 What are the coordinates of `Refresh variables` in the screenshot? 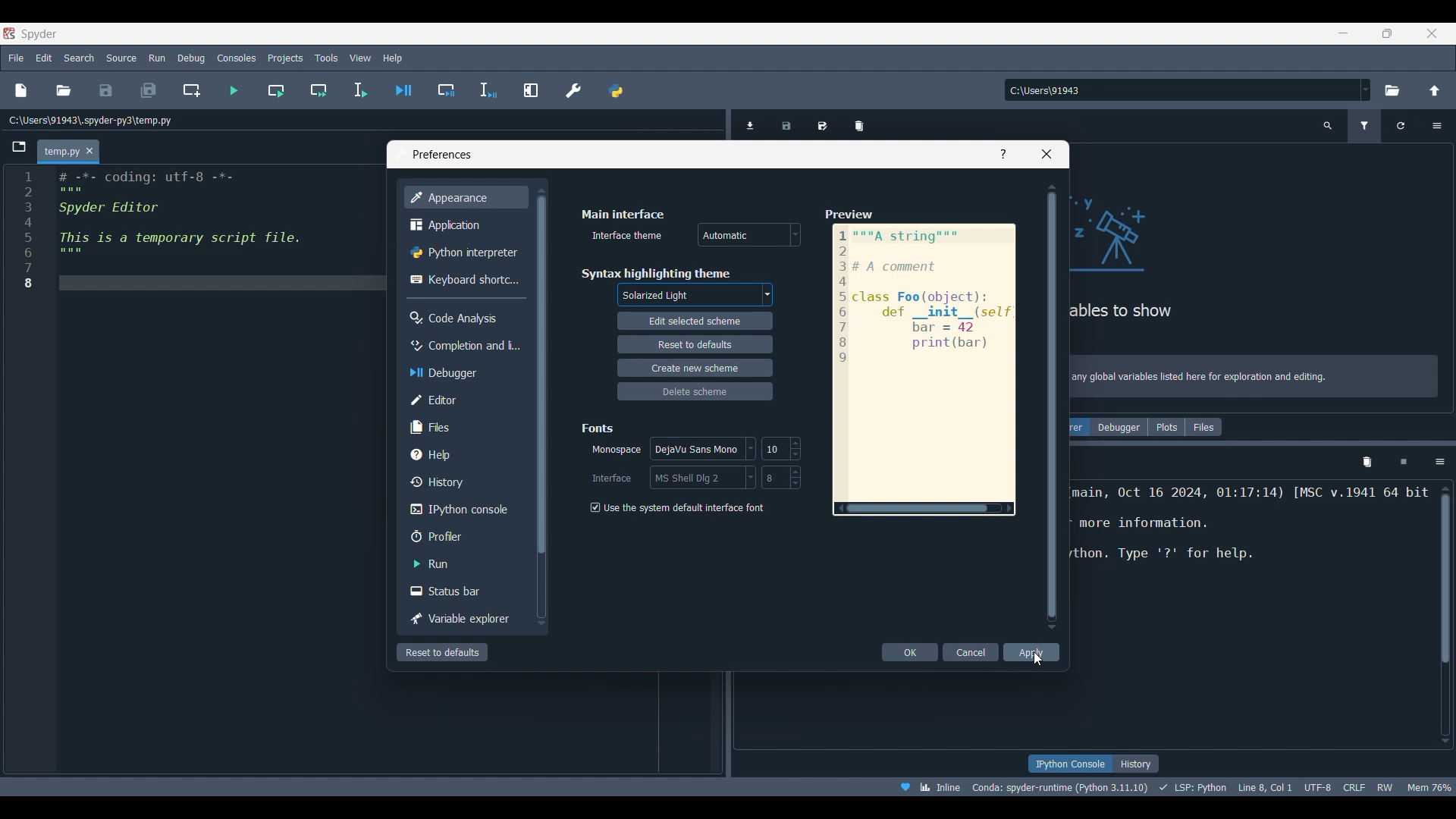 It's located at (1401, 126).